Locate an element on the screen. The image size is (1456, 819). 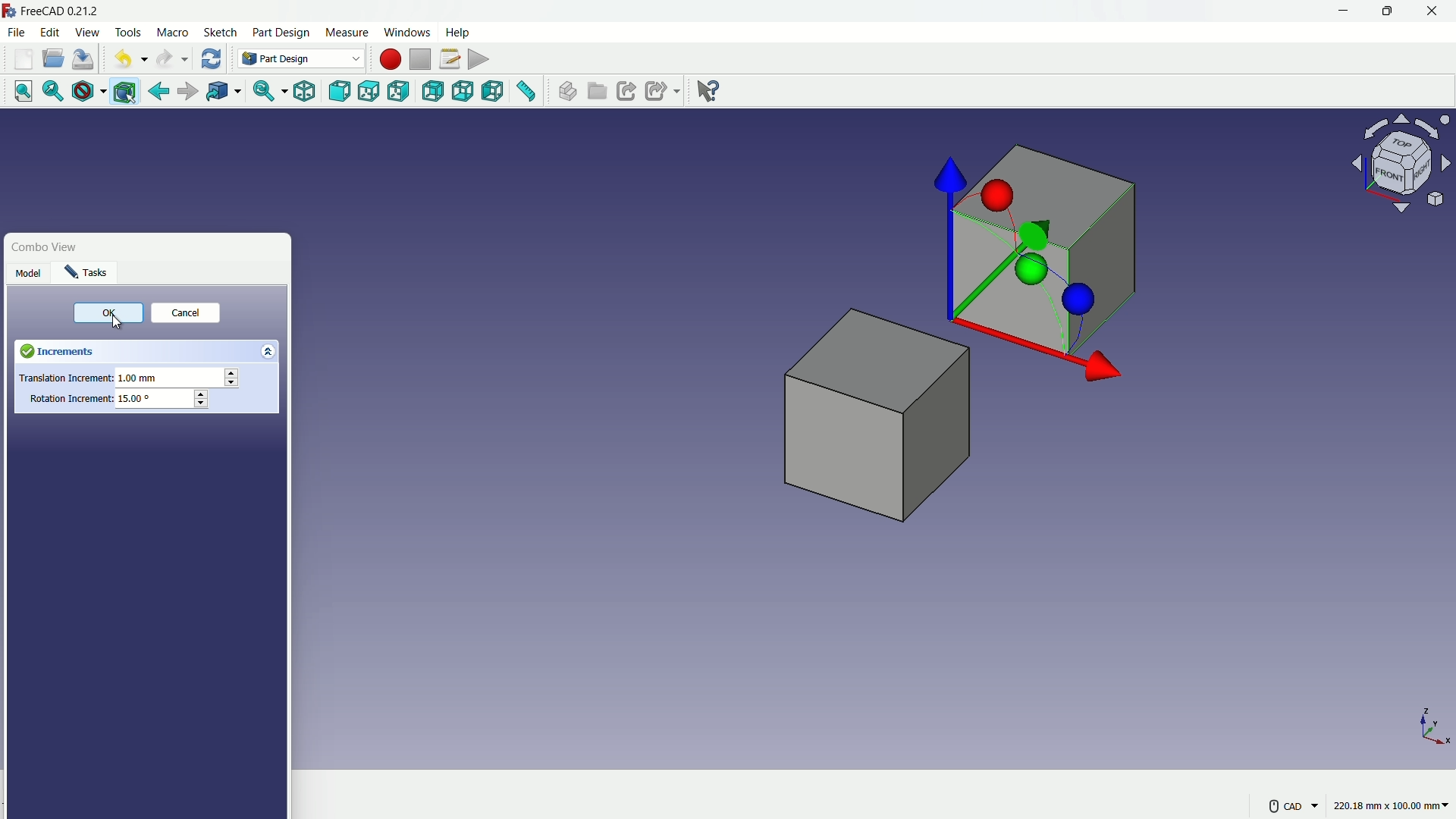
cancel is located at coordinates (184, 315).